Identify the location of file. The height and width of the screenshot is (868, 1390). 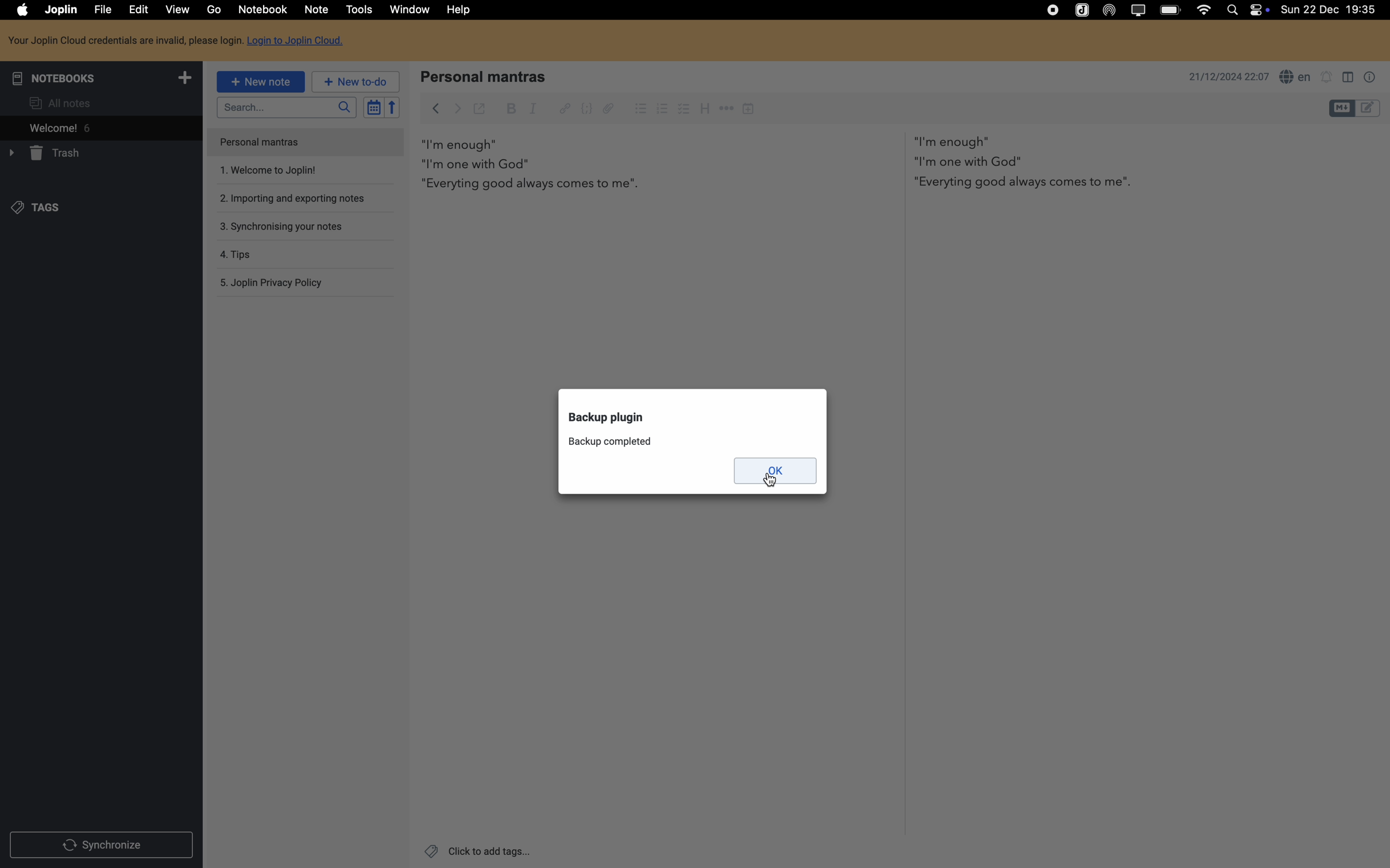
(103, 9).